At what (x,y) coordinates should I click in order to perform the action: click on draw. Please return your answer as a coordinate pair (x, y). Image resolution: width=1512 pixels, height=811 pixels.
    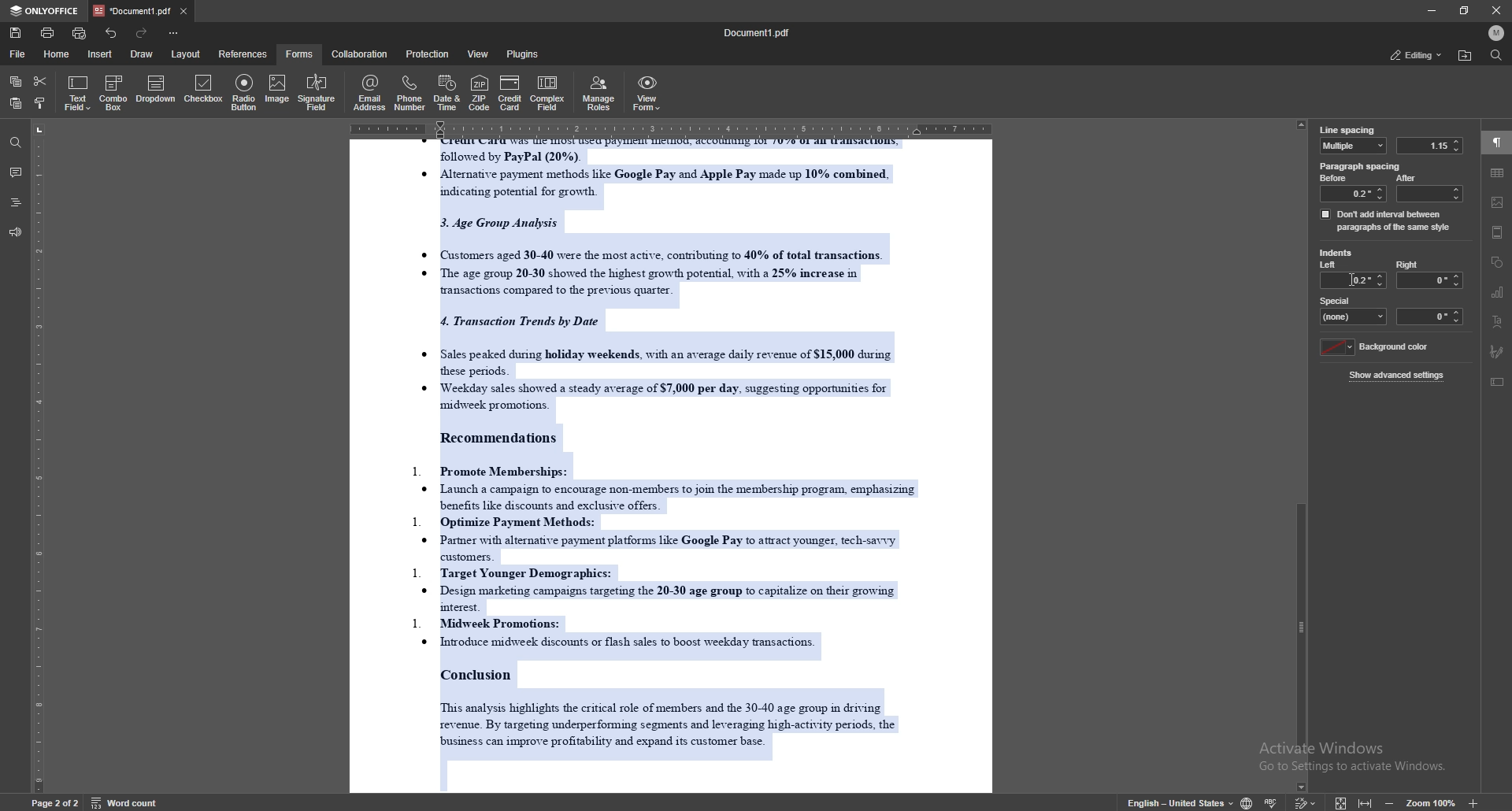
    Looking at the image, I should click on (144, 53).